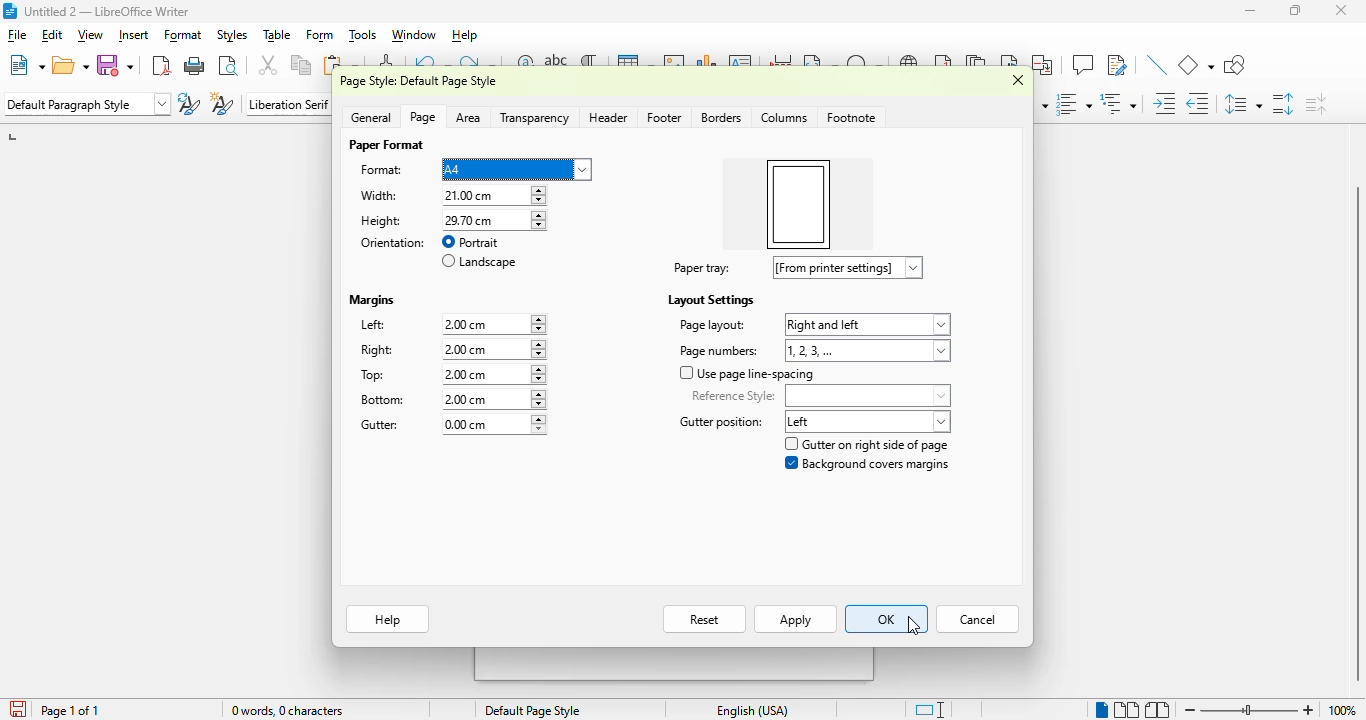 This screenshot has width=1366, height=720. Describe the element at coordinates (1354, 435) in the screenshot. I see `vertical scroll bar` at that location.